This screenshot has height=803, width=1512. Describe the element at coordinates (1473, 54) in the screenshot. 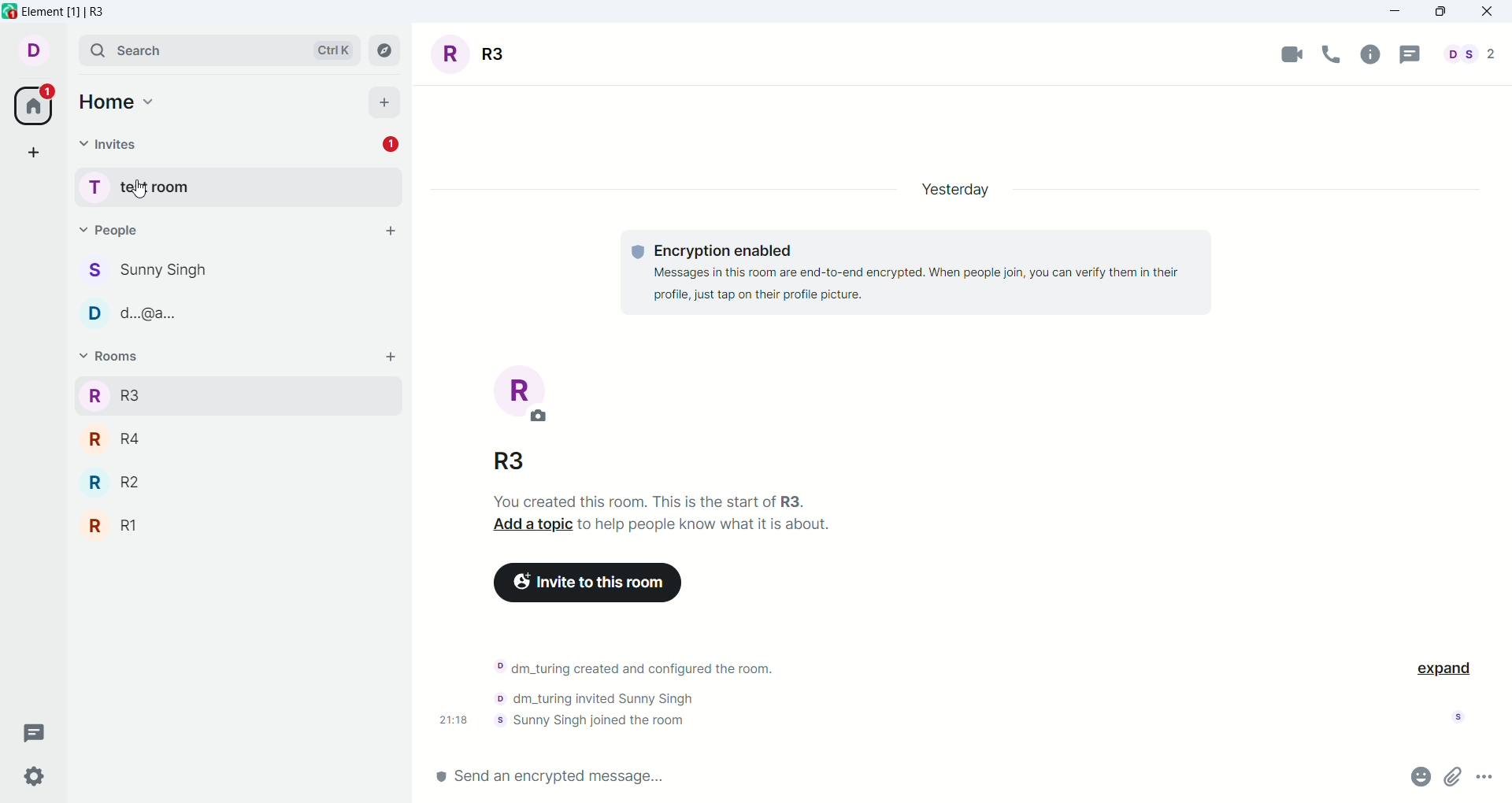

I see `people` at that location.